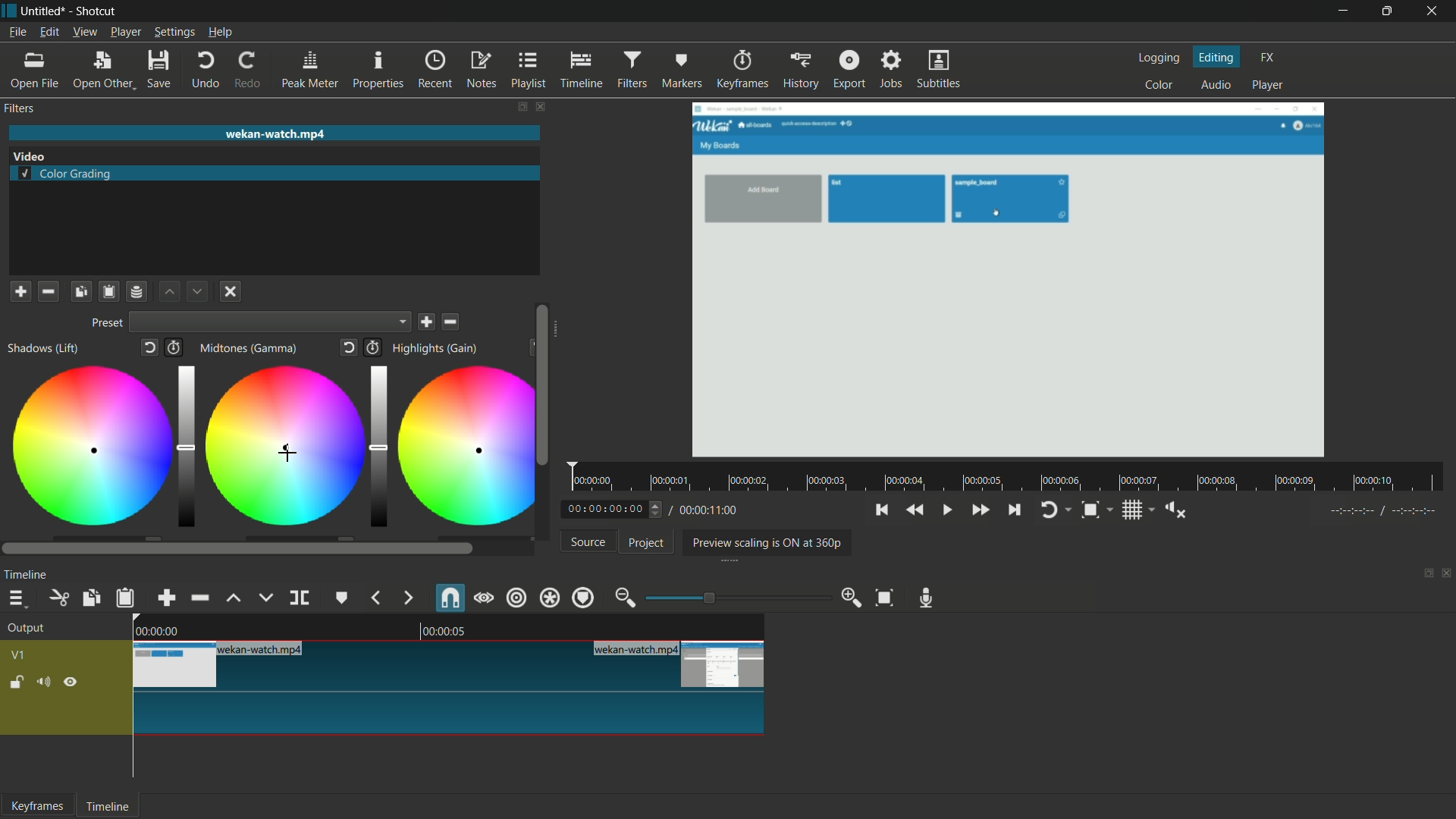  Describe the element at coordinates (552, 375) in the screenshot. I see `scroll bar` at that location.